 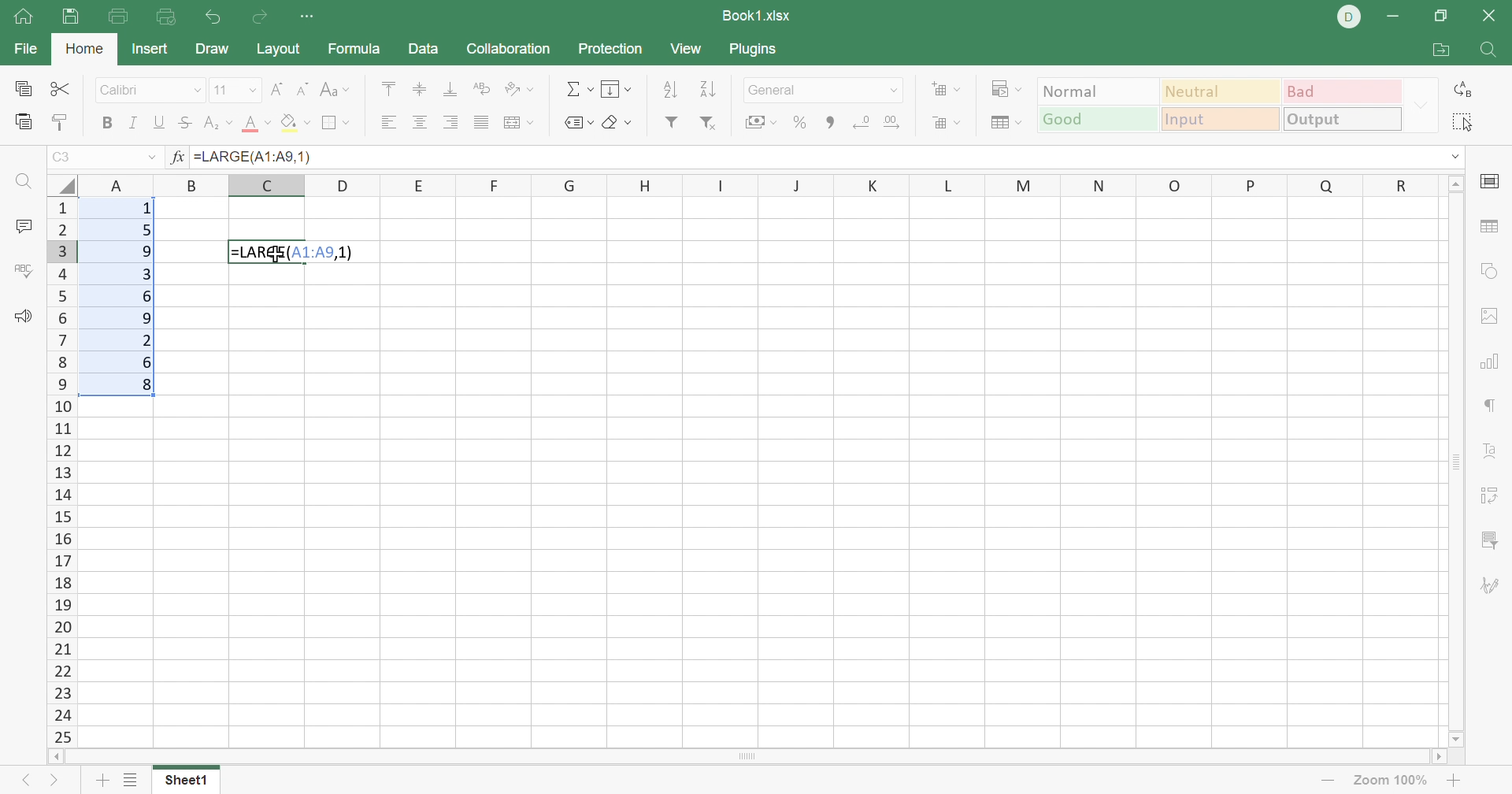 I want to click on Fill, so click(x=617, y=89).